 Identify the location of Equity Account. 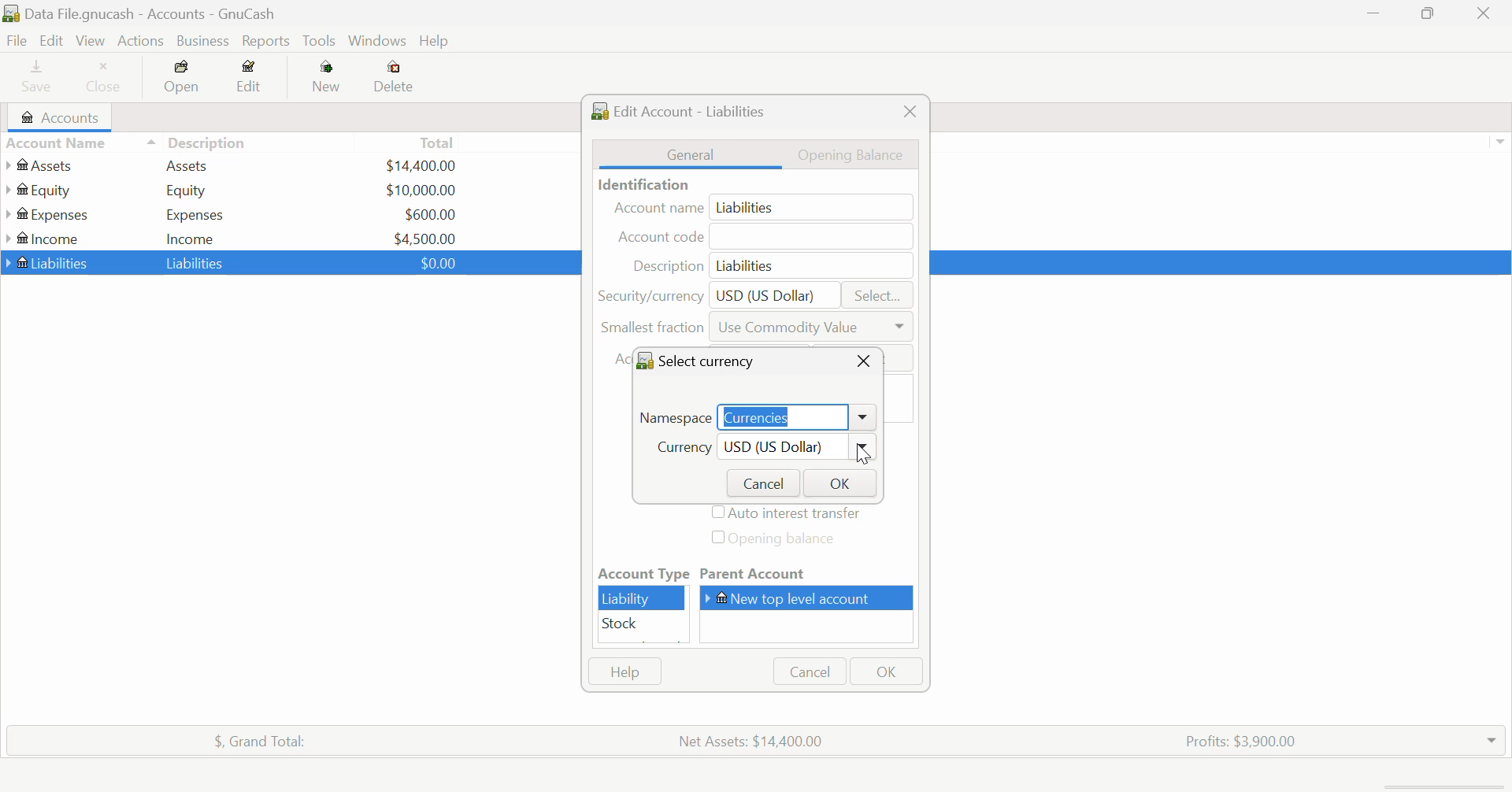
(43, 187).